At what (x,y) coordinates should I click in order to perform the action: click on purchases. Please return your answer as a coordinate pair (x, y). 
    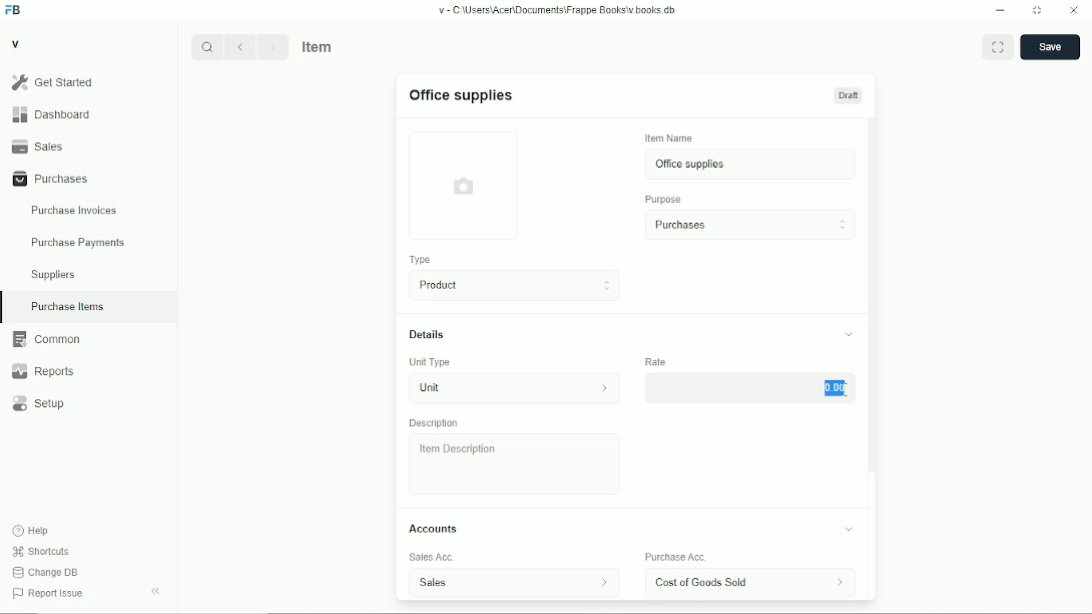
    Looking at the image, I should click on (750, 225).